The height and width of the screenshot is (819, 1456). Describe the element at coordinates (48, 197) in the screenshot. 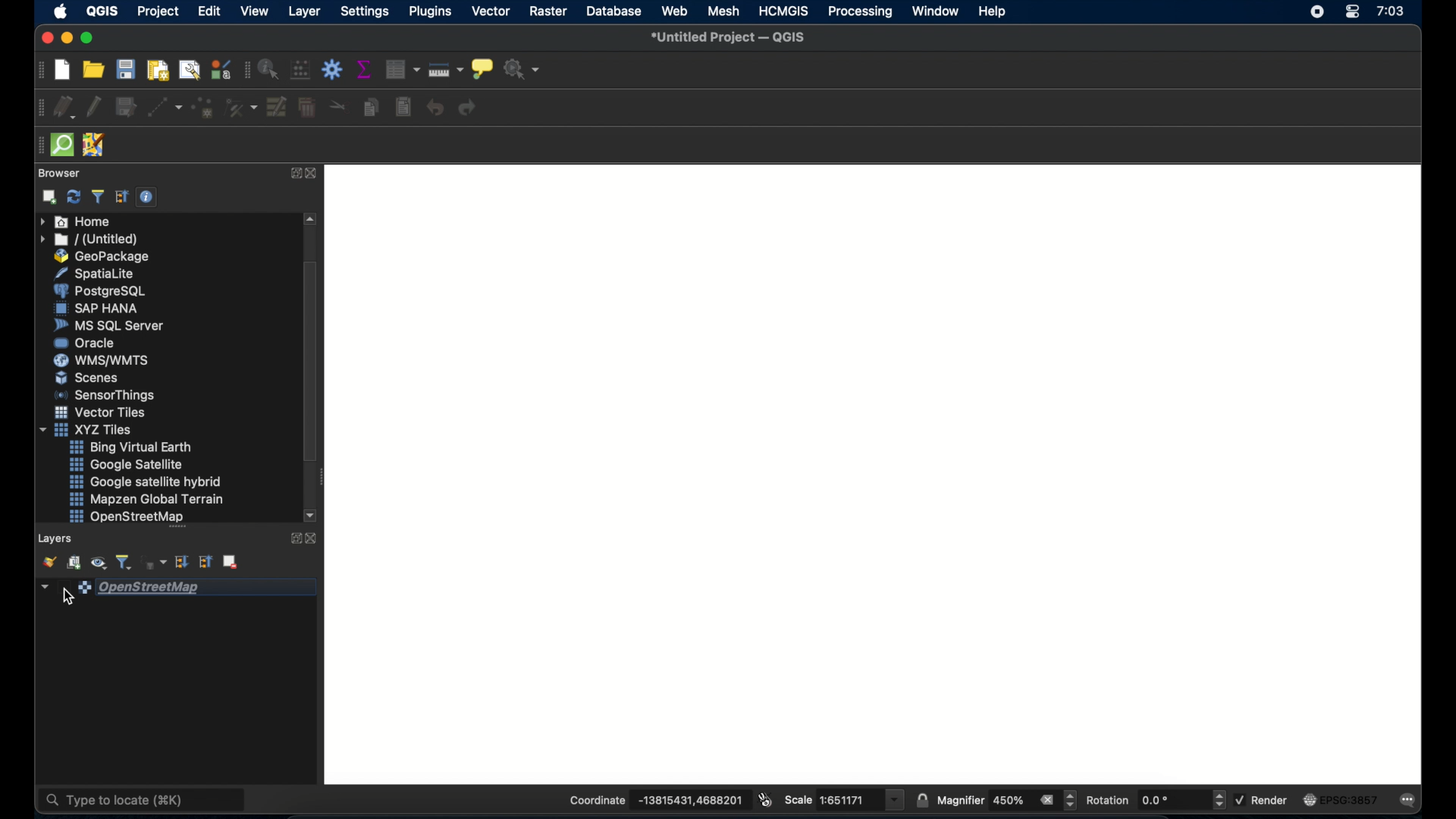

I see `add. selected layer` at that location.